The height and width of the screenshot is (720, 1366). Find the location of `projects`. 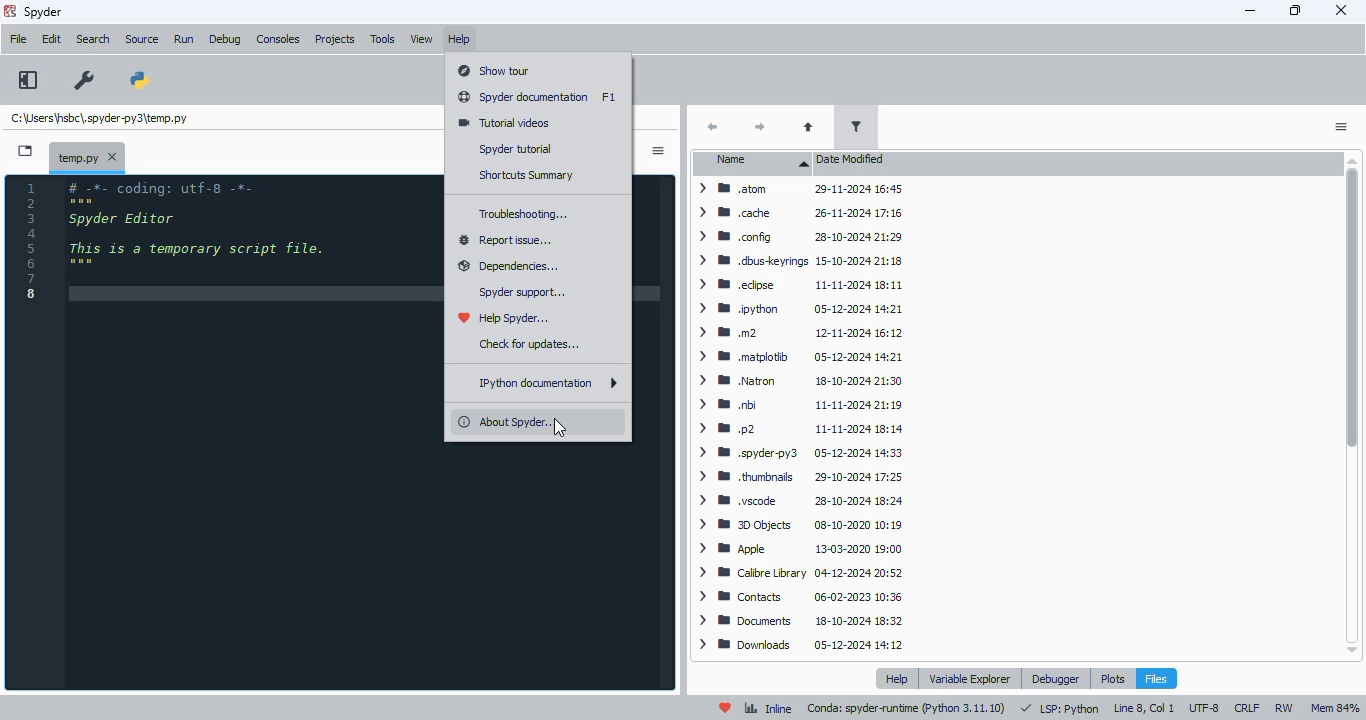

projects is located at coordinates (334, 41).